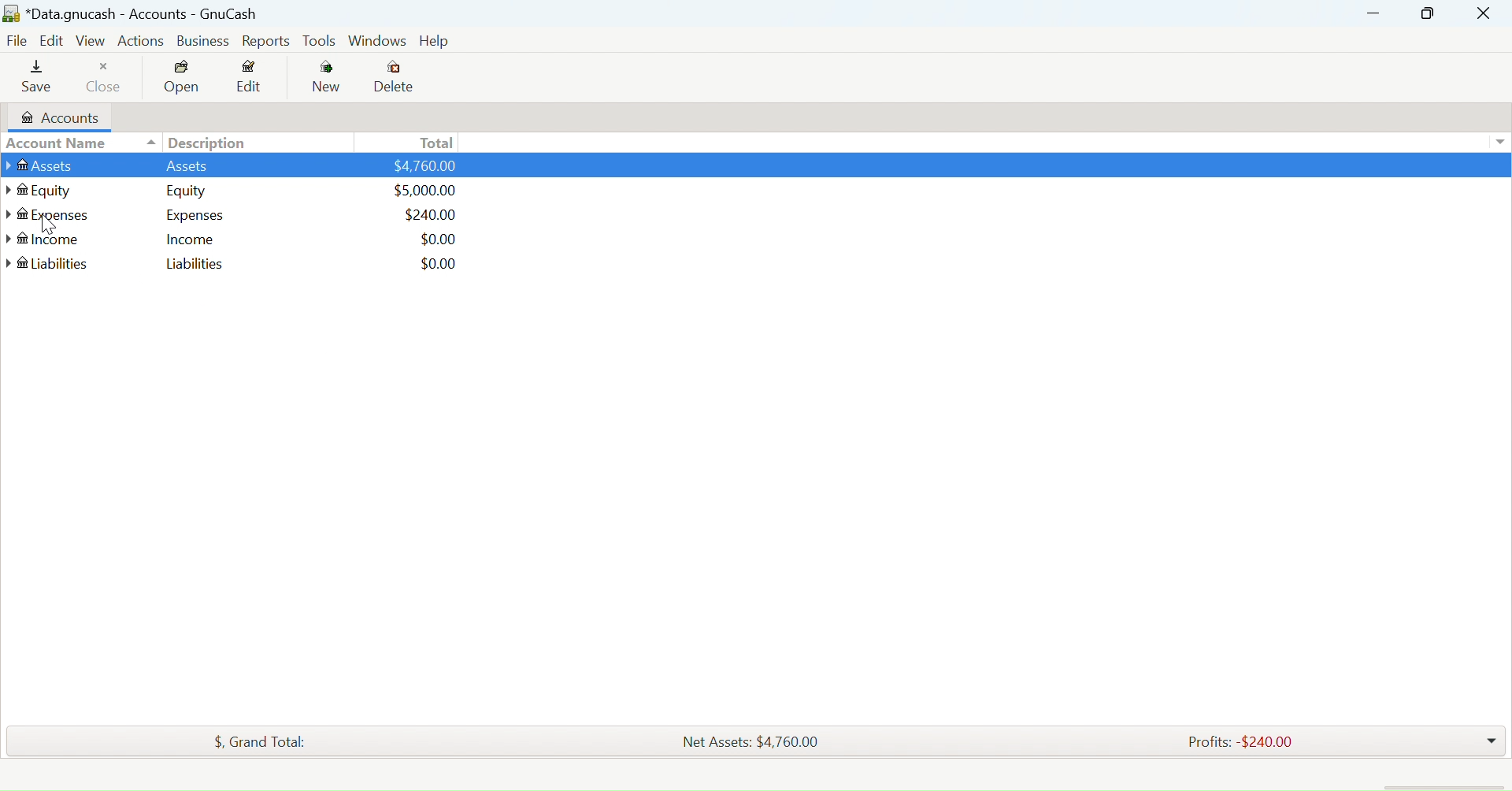 The image size is (1512, 791). Describe the element at coordinates (91, 43) in the screenshot. I see `View` at that location.